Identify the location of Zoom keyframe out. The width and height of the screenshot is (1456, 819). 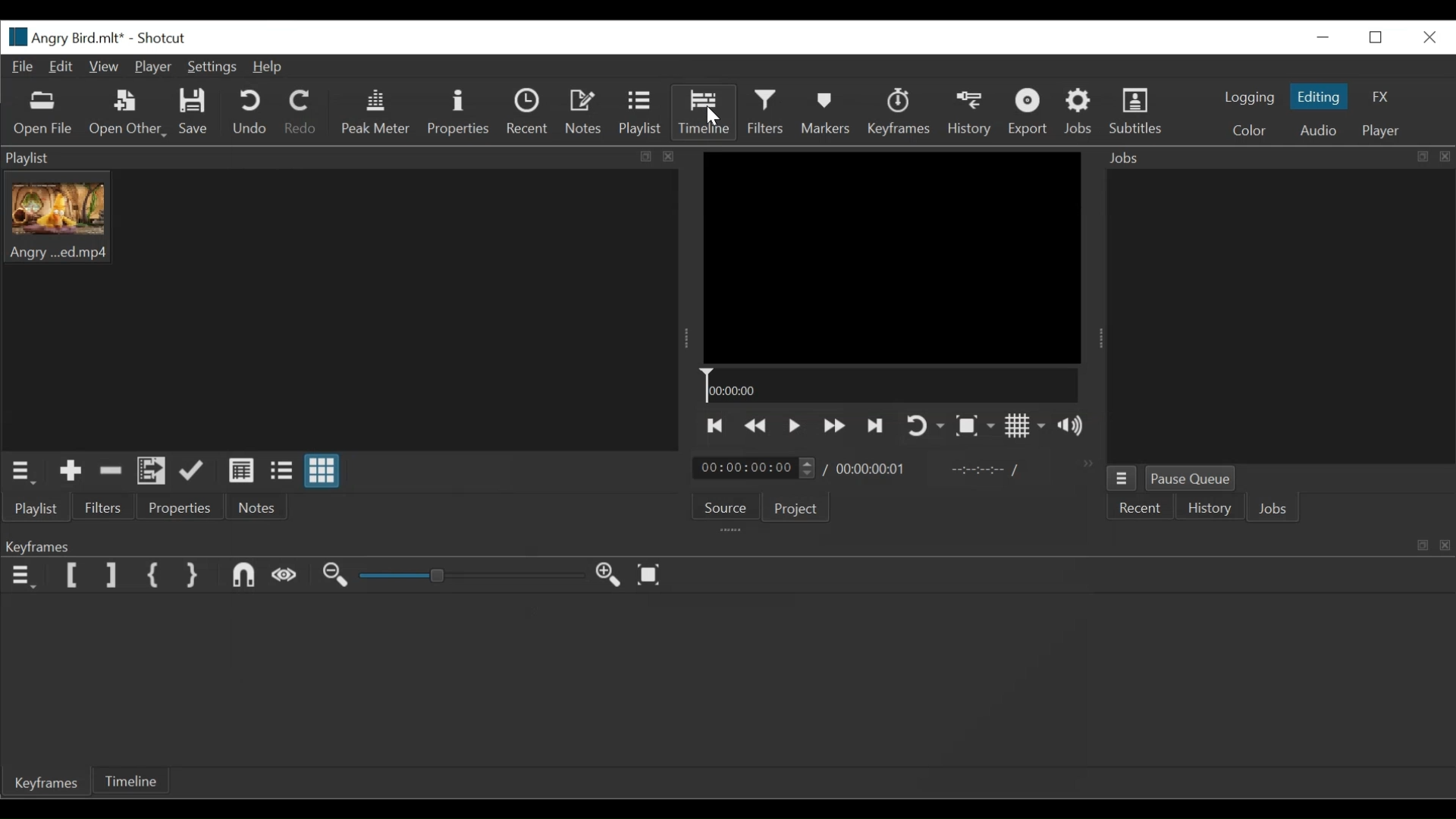
(334, 578).